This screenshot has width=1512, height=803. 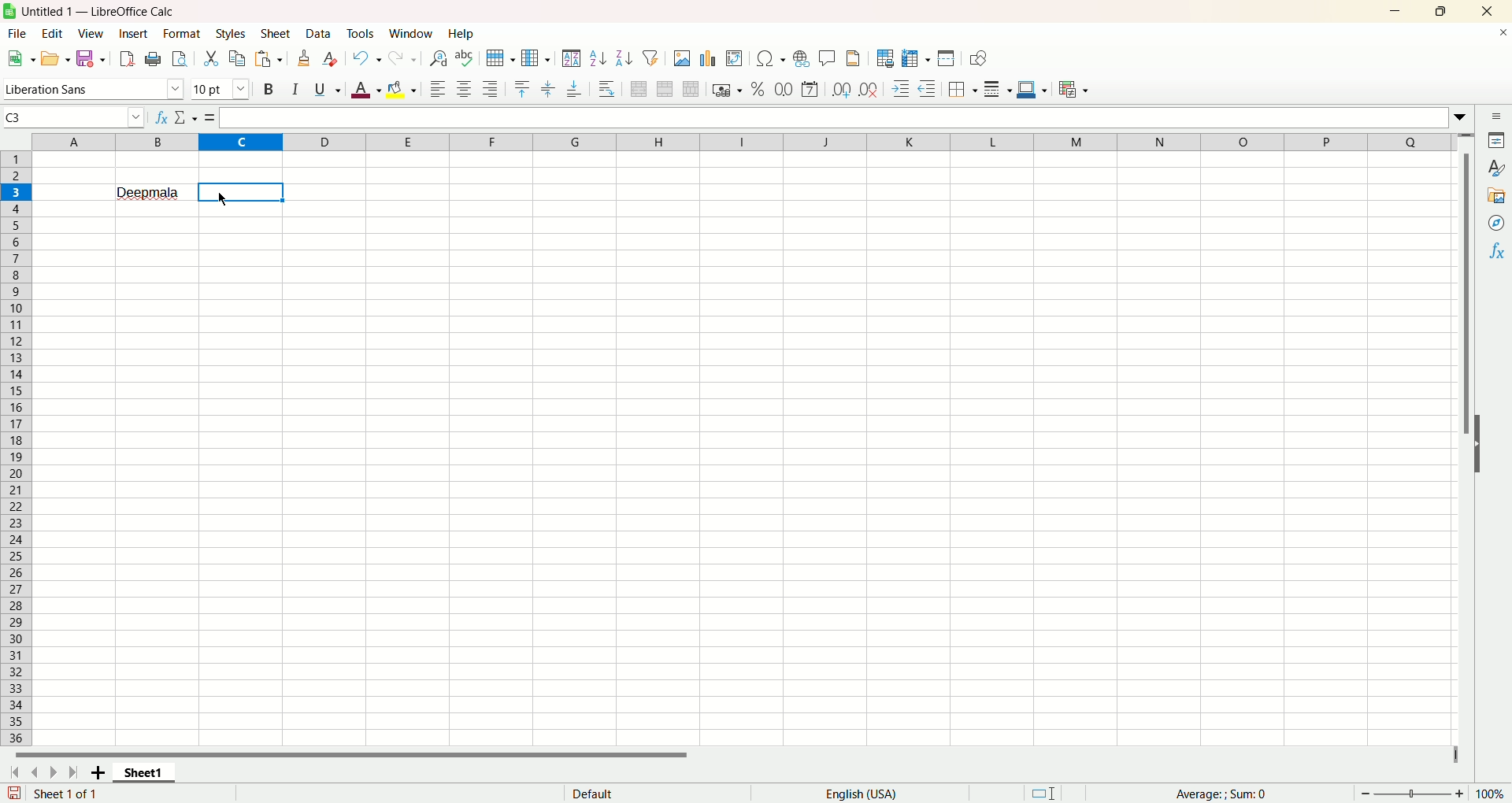 I want to click on select function, so click(x=187, y=117).